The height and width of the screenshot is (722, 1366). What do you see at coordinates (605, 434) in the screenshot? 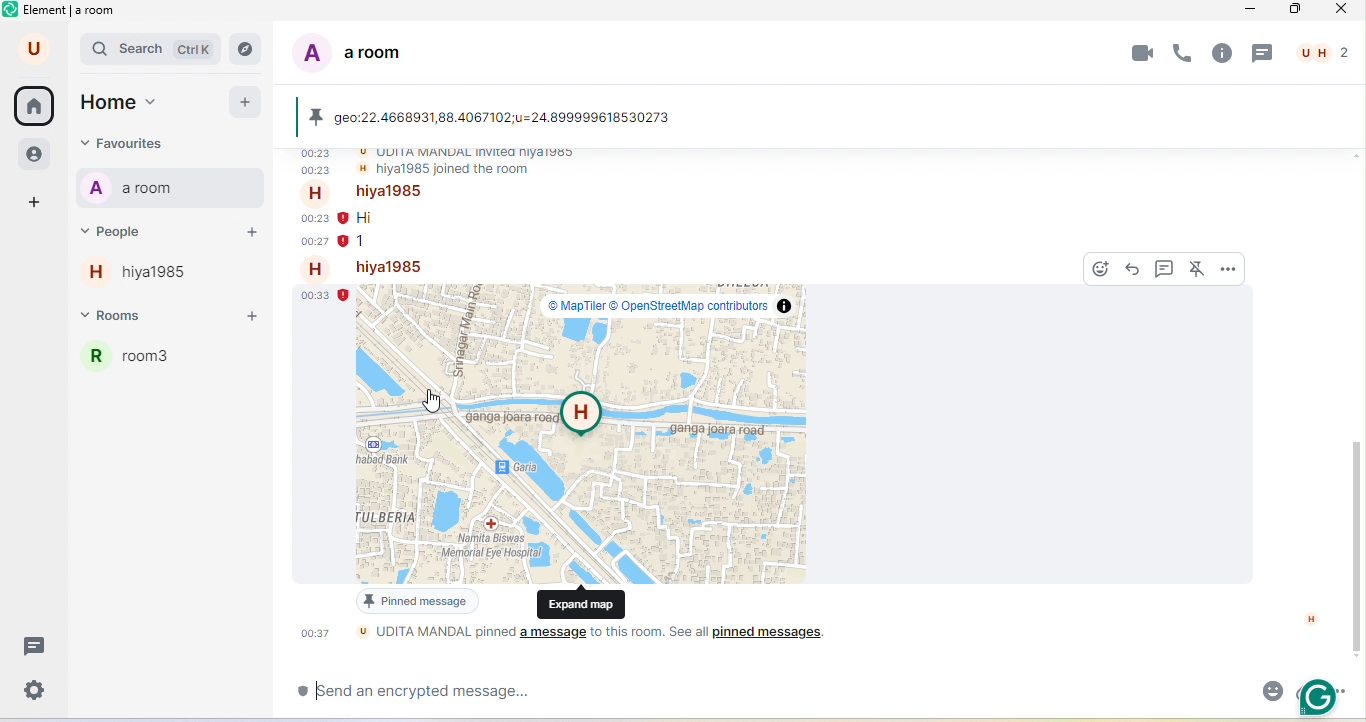
I see `street map` at bounding box center [605, 434].